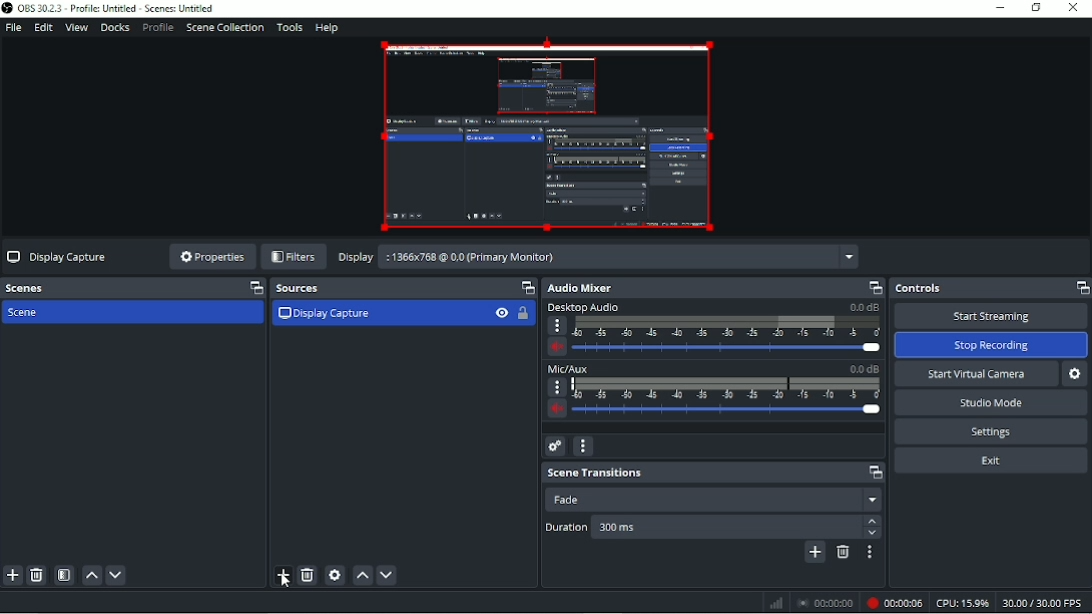  I want to click on Move scene up, so click(90, 575).